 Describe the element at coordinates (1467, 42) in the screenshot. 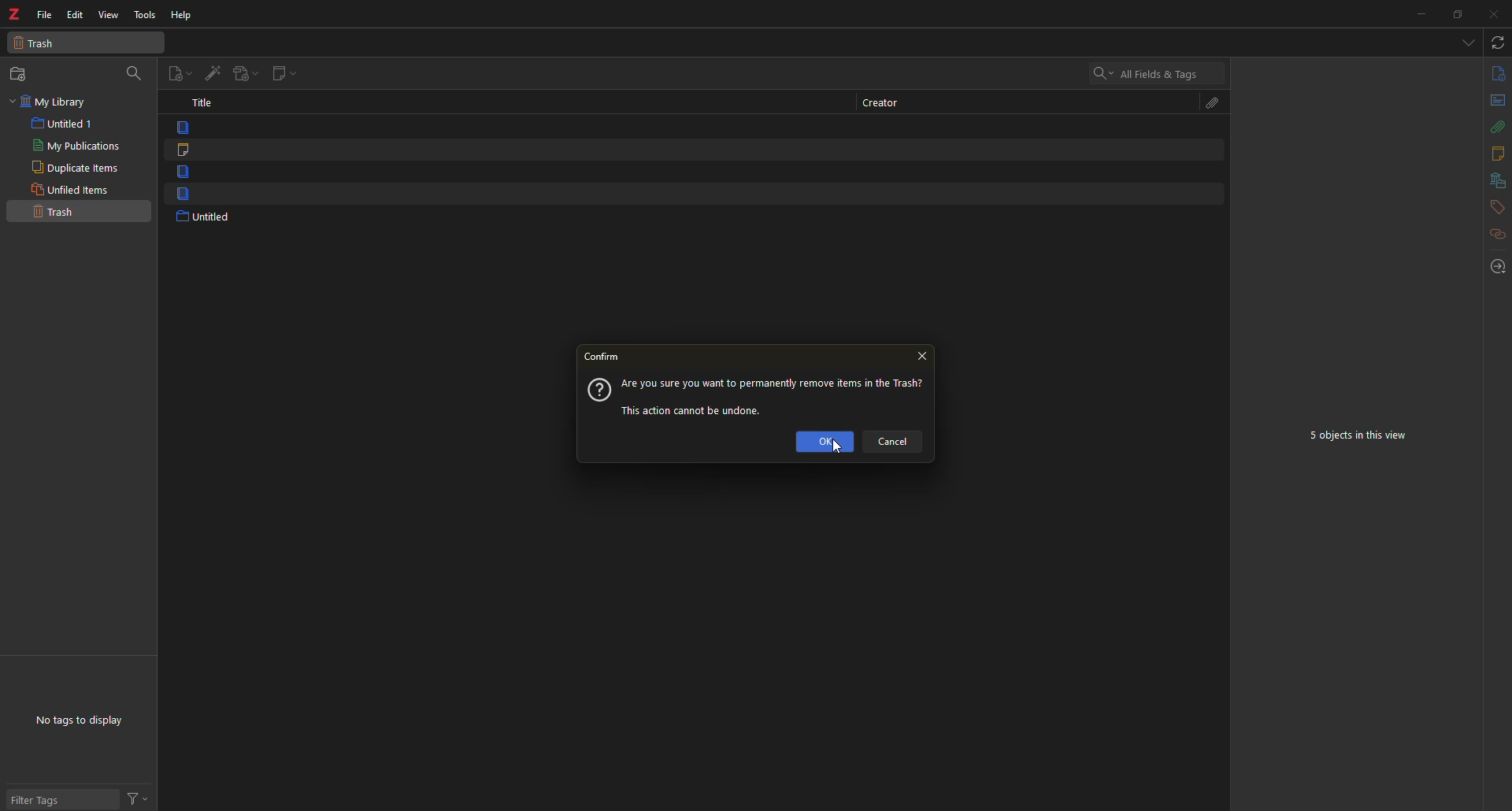

I see `tabs` at that location.